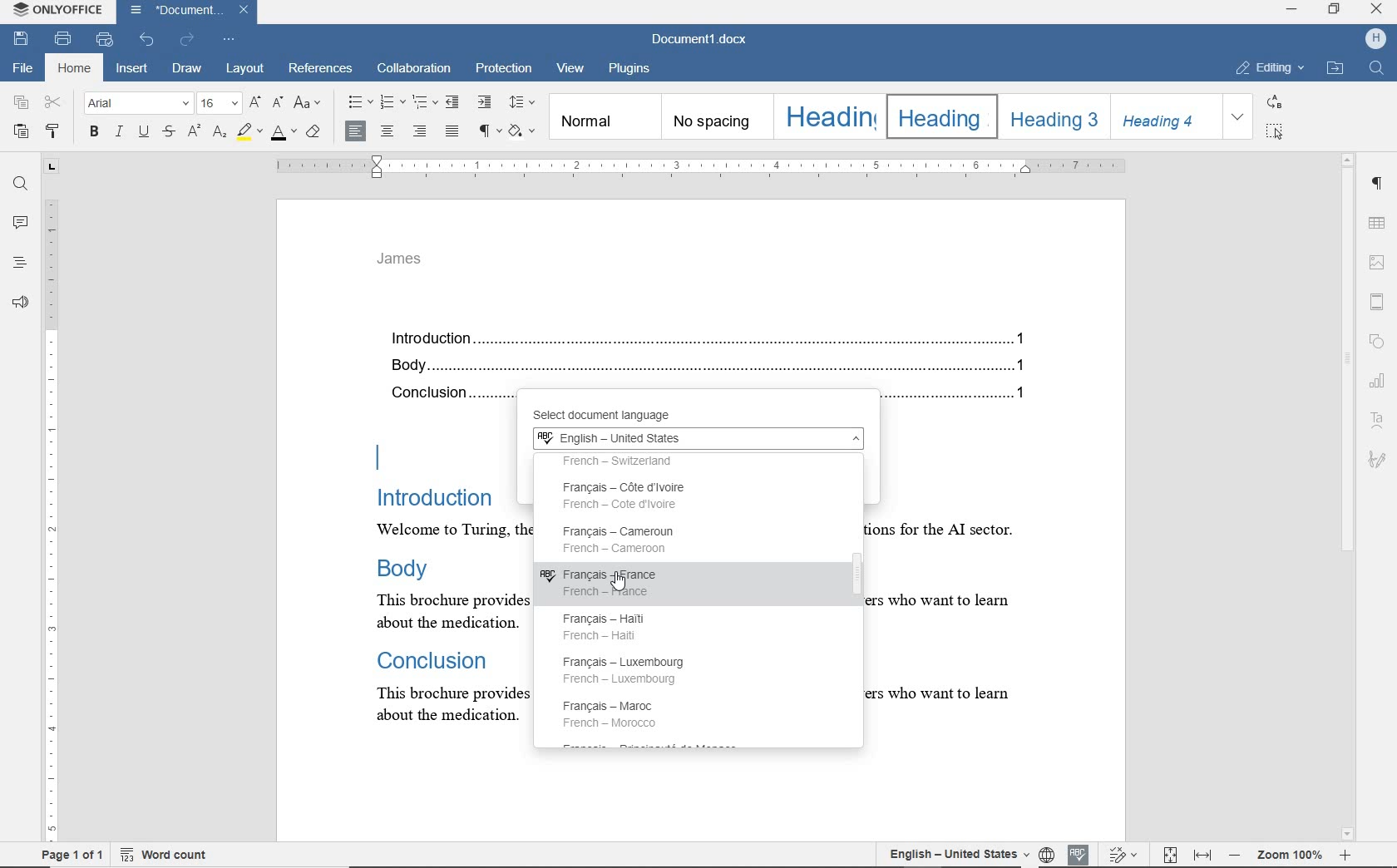 This screenshot has width=1397, height=868. What do you see at coordinates (1165, 116) in the screenshot?
I see `Heading 4` at bounding box center [1165, 116].